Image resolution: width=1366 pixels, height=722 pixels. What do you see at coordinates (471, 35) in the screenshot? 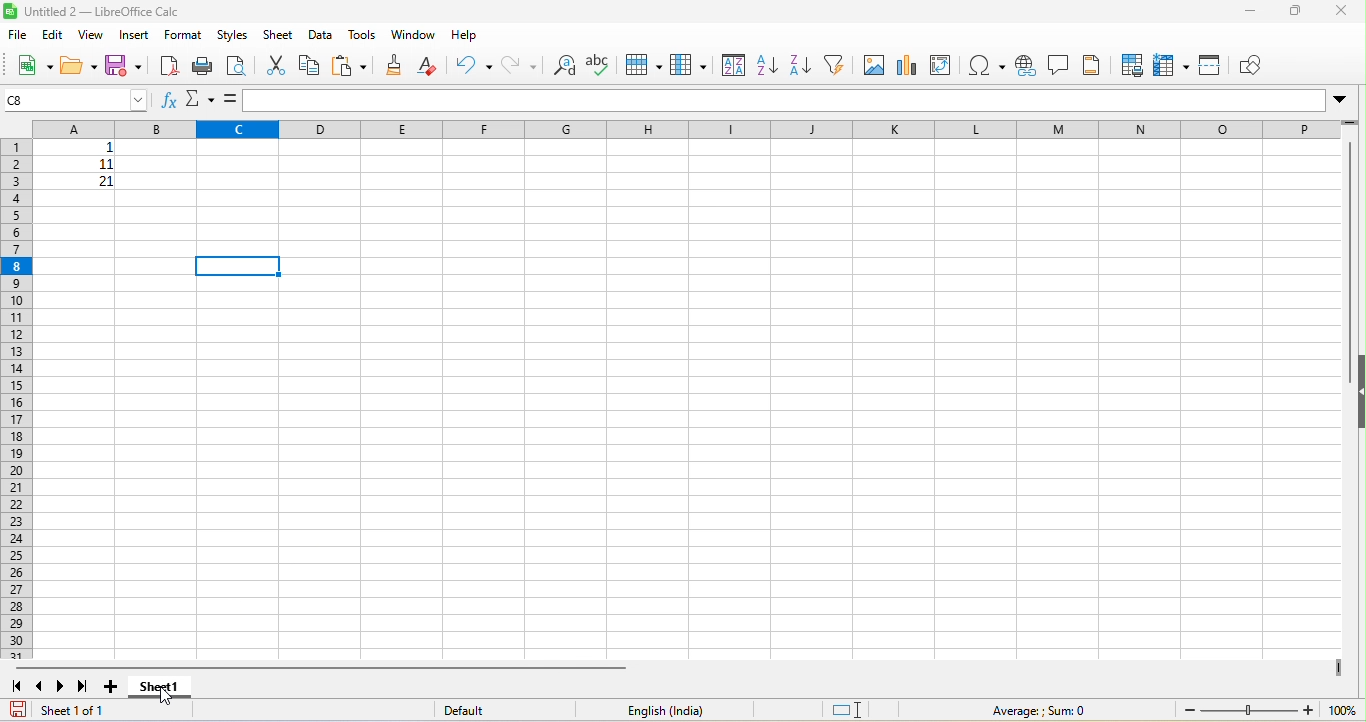
I see `help` at bounding box center [471, 35].